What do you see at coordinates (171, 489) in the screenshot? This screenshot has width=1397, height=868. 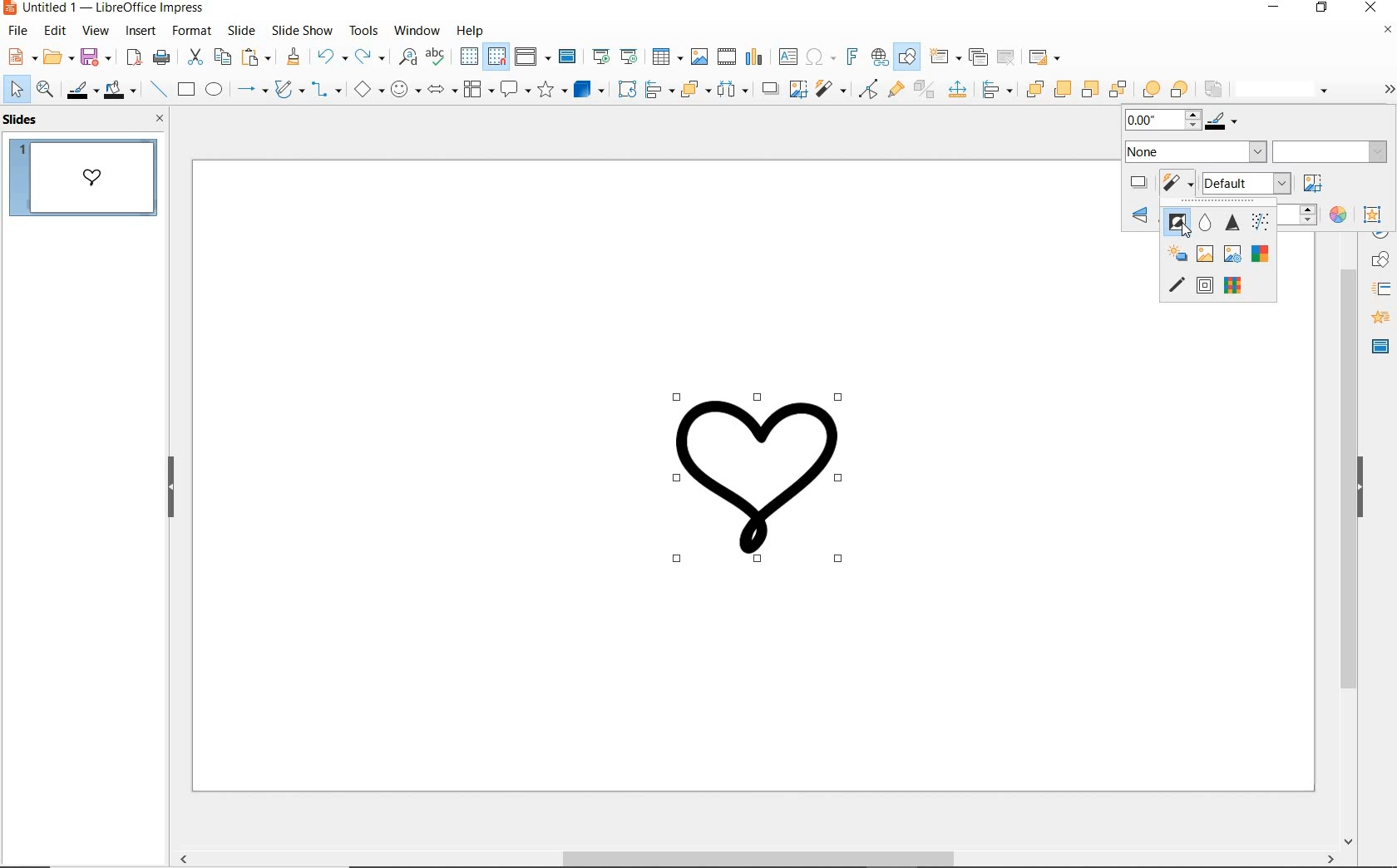 I see `HIDE` at bounding box center [171, 489].